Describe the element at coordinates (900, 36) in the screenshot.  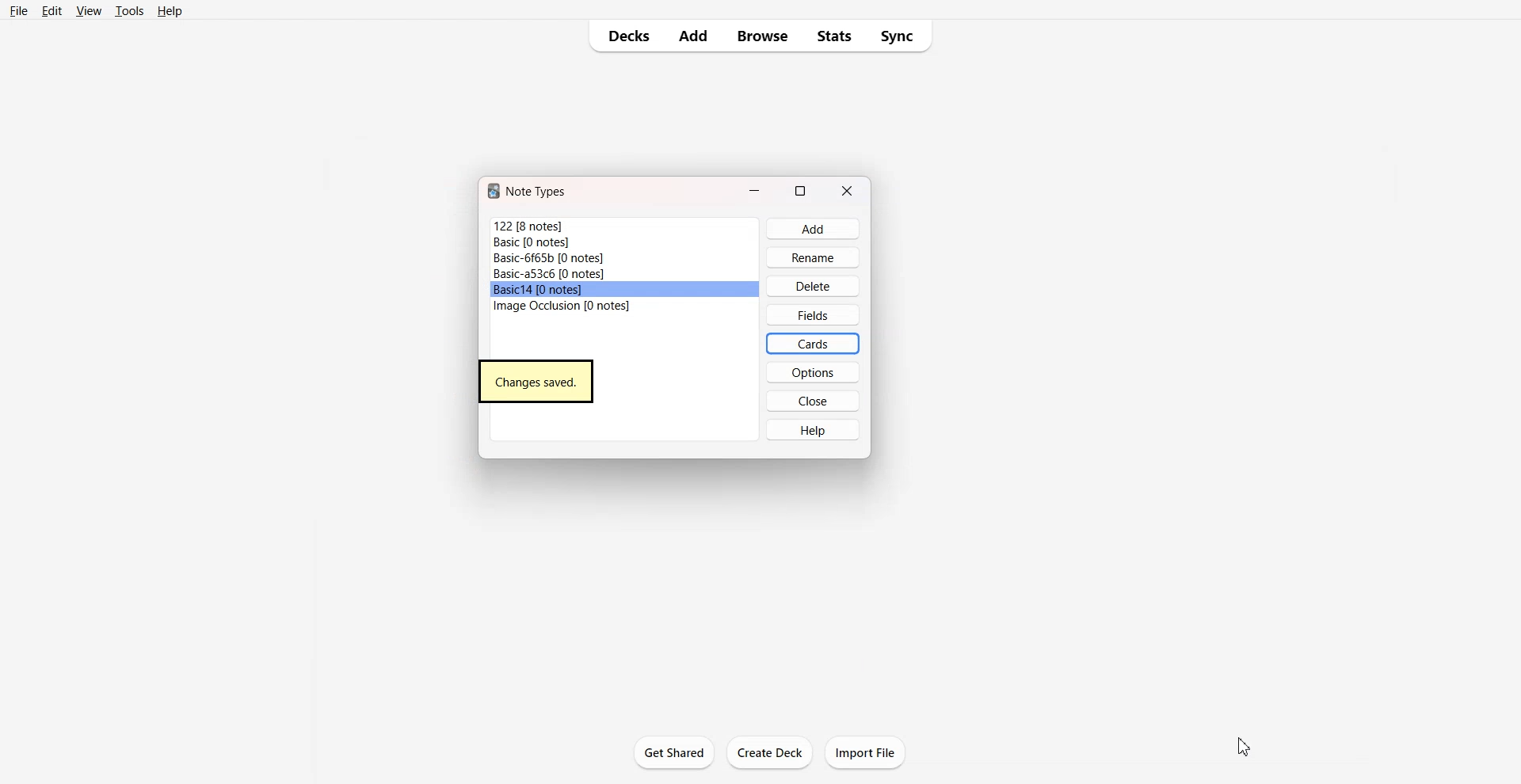
I see `Sync` at that location.